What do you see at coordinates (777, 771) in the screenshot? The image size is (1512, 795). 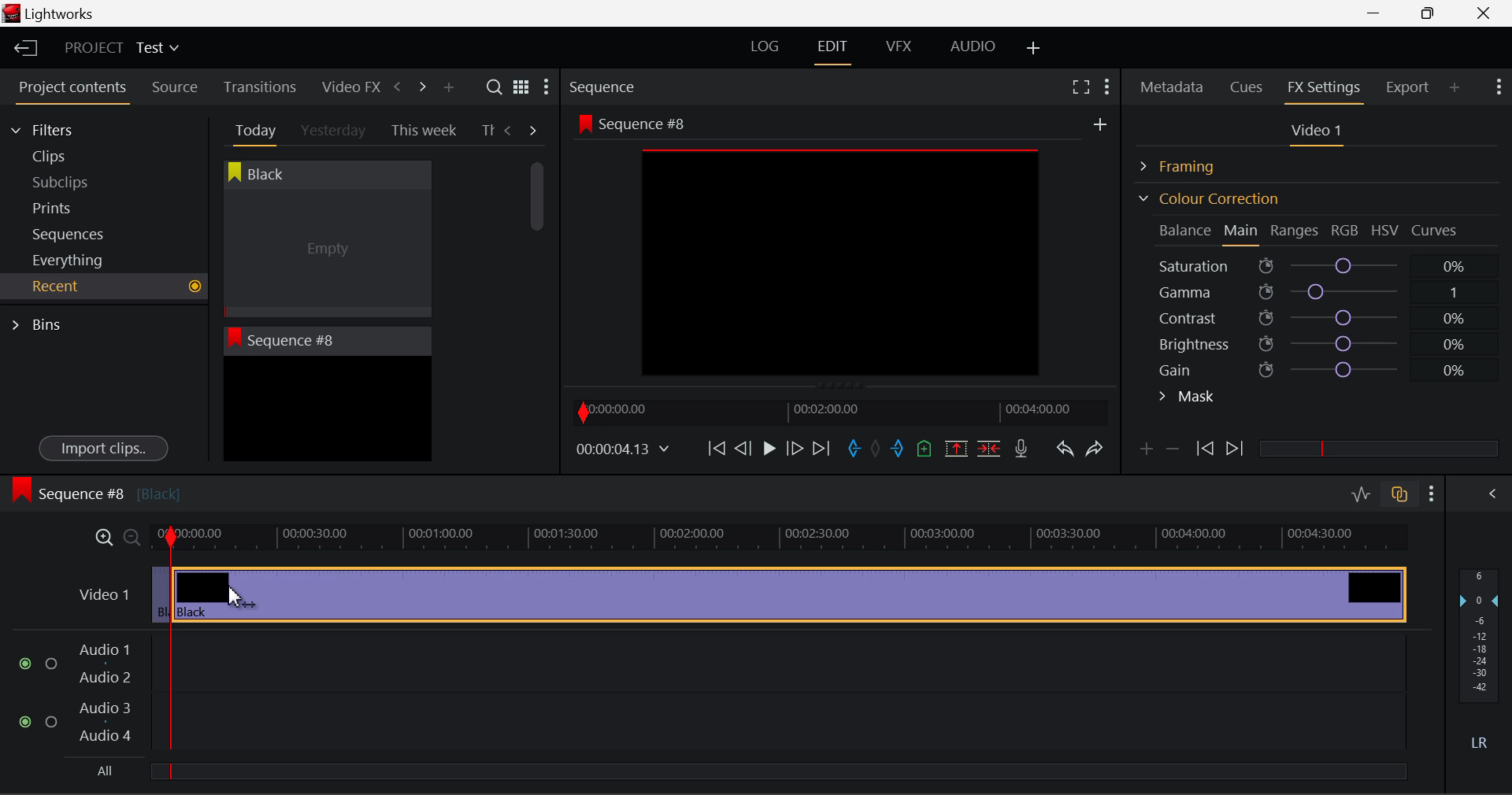 I see `slider` at bounding box center [777, 771].